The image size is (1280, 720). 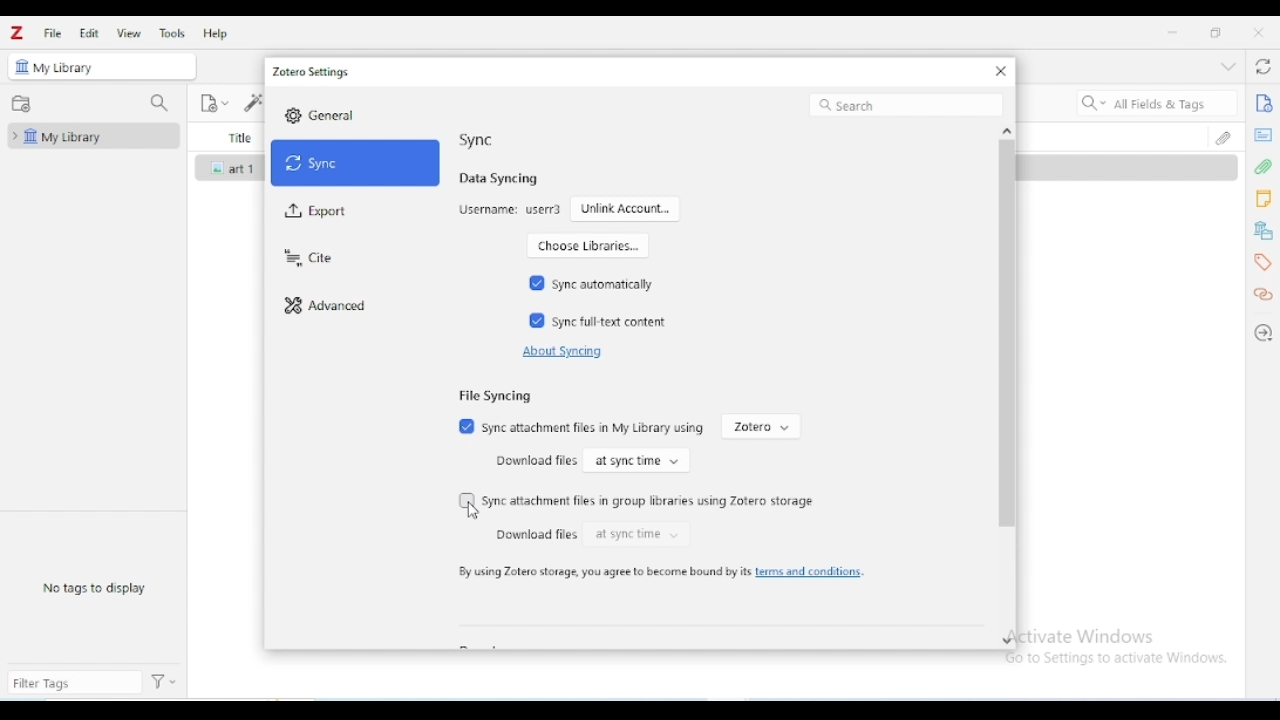 I want to click on icon, so click(x=219, y=168).